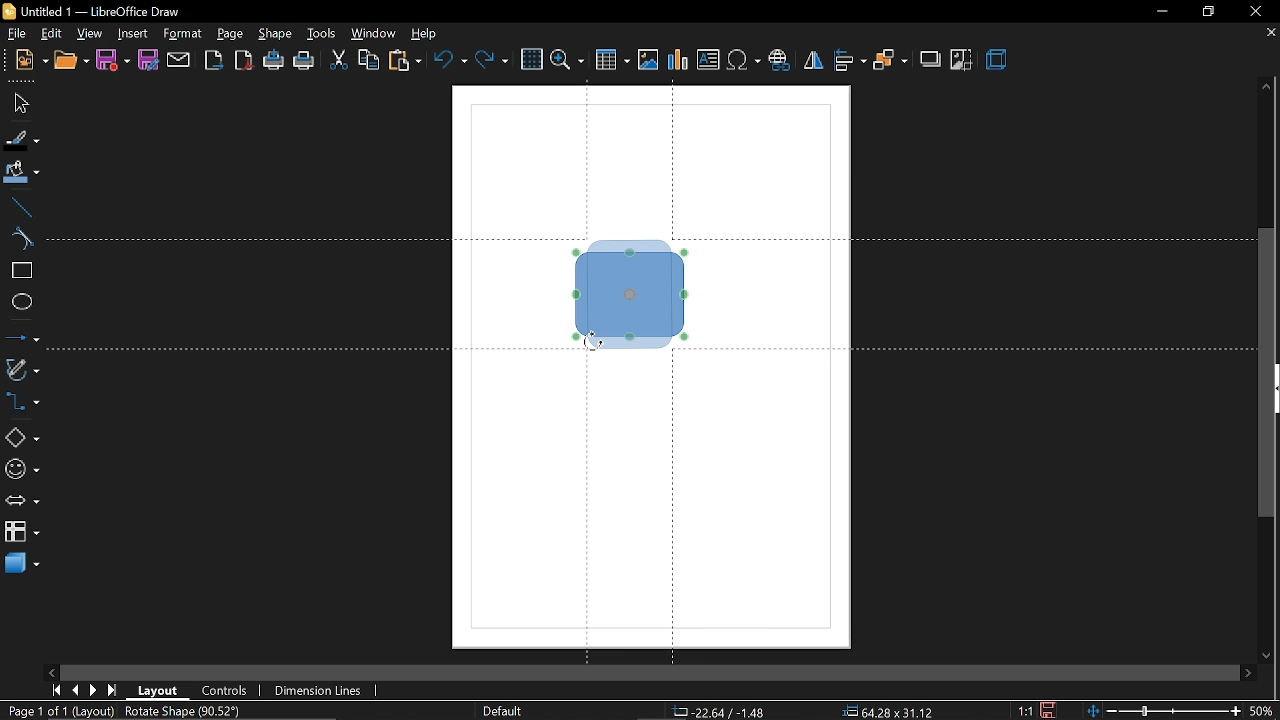  I want to click on scaling factor, so click(1022, 710).